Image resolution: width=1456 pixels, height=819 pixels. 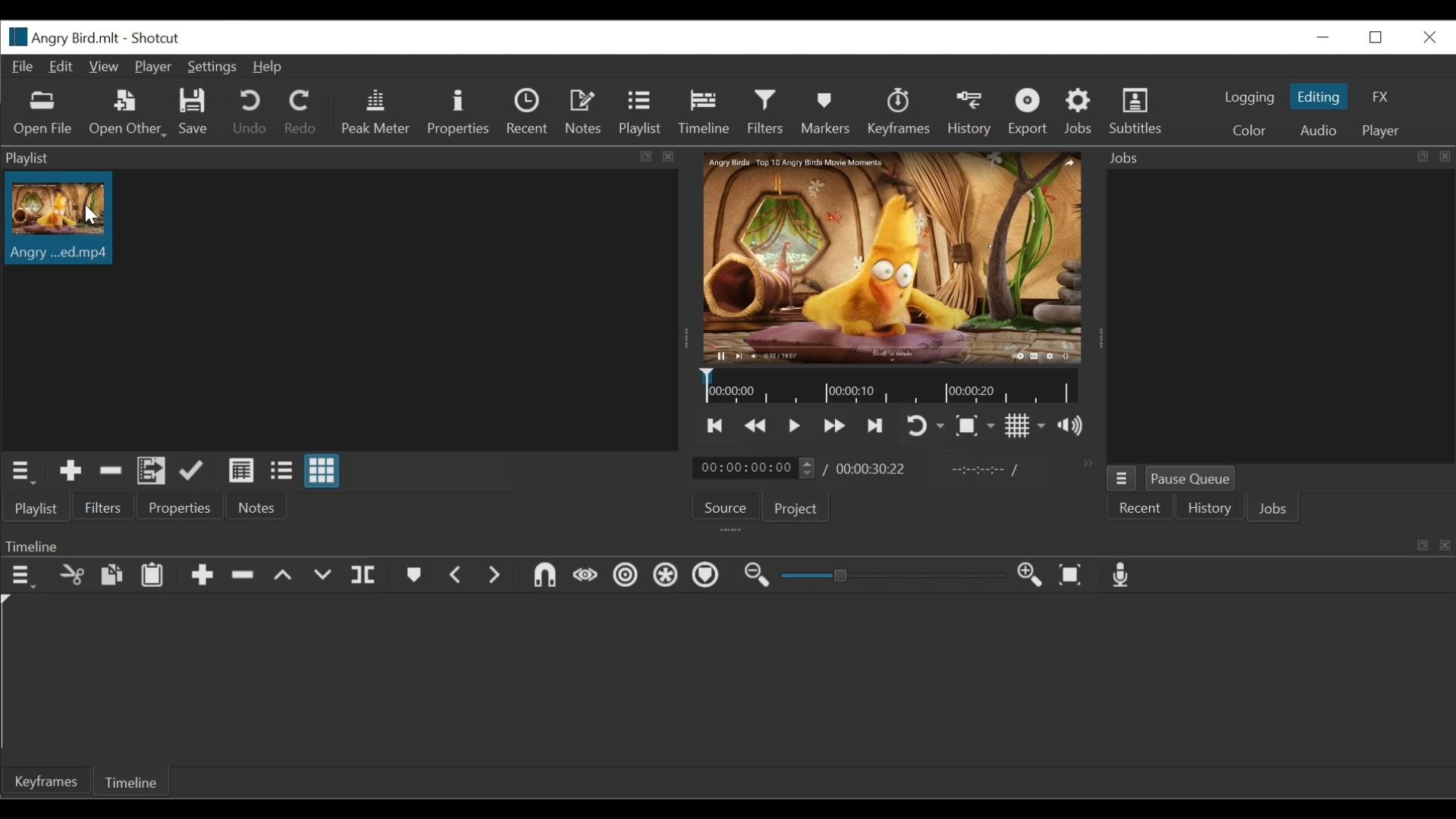 I want to click on Append, so click(x=201, y=577).